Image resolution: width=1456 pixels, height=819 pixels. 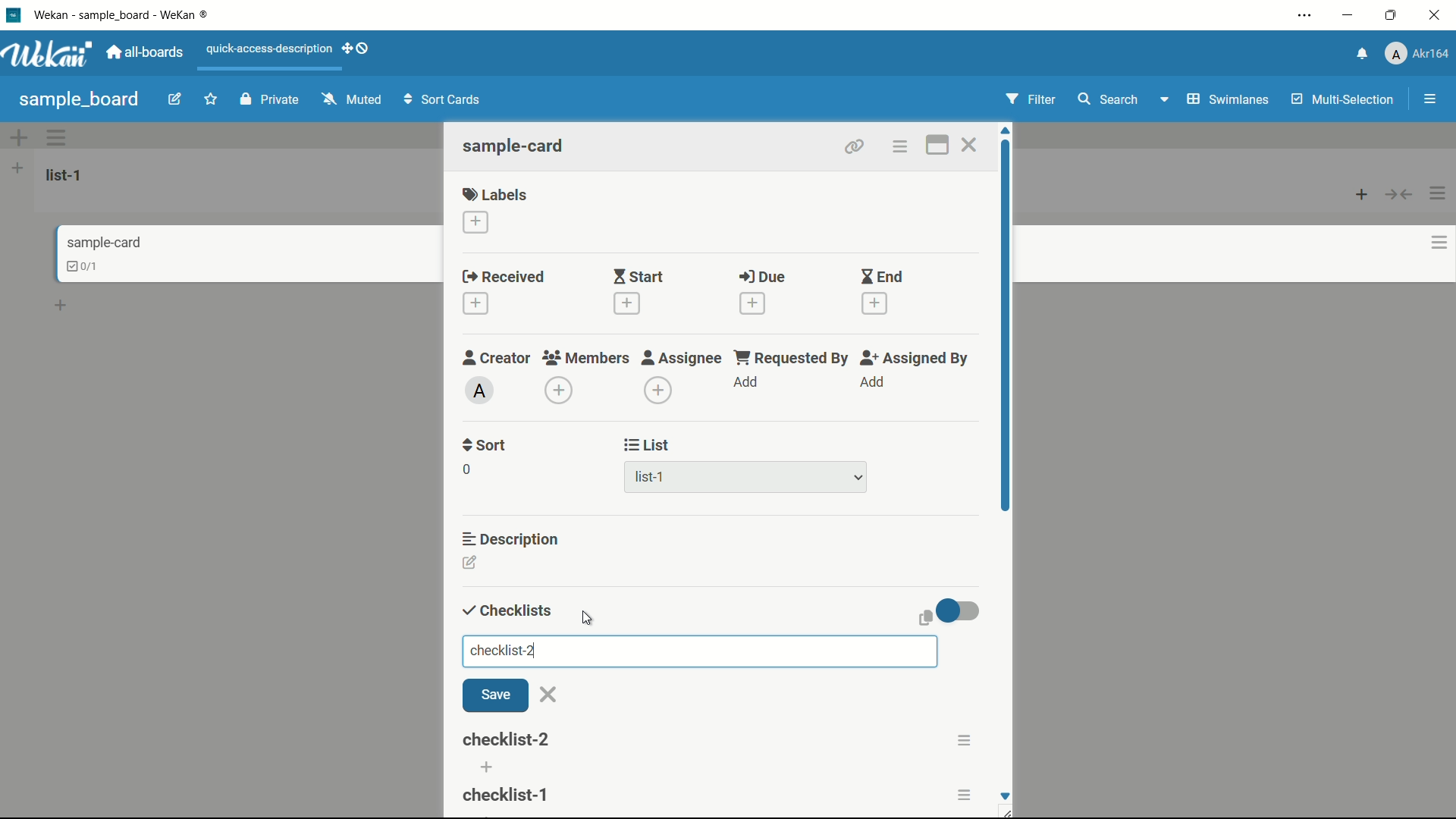 I want to click on star, so click(x=213, y=101).